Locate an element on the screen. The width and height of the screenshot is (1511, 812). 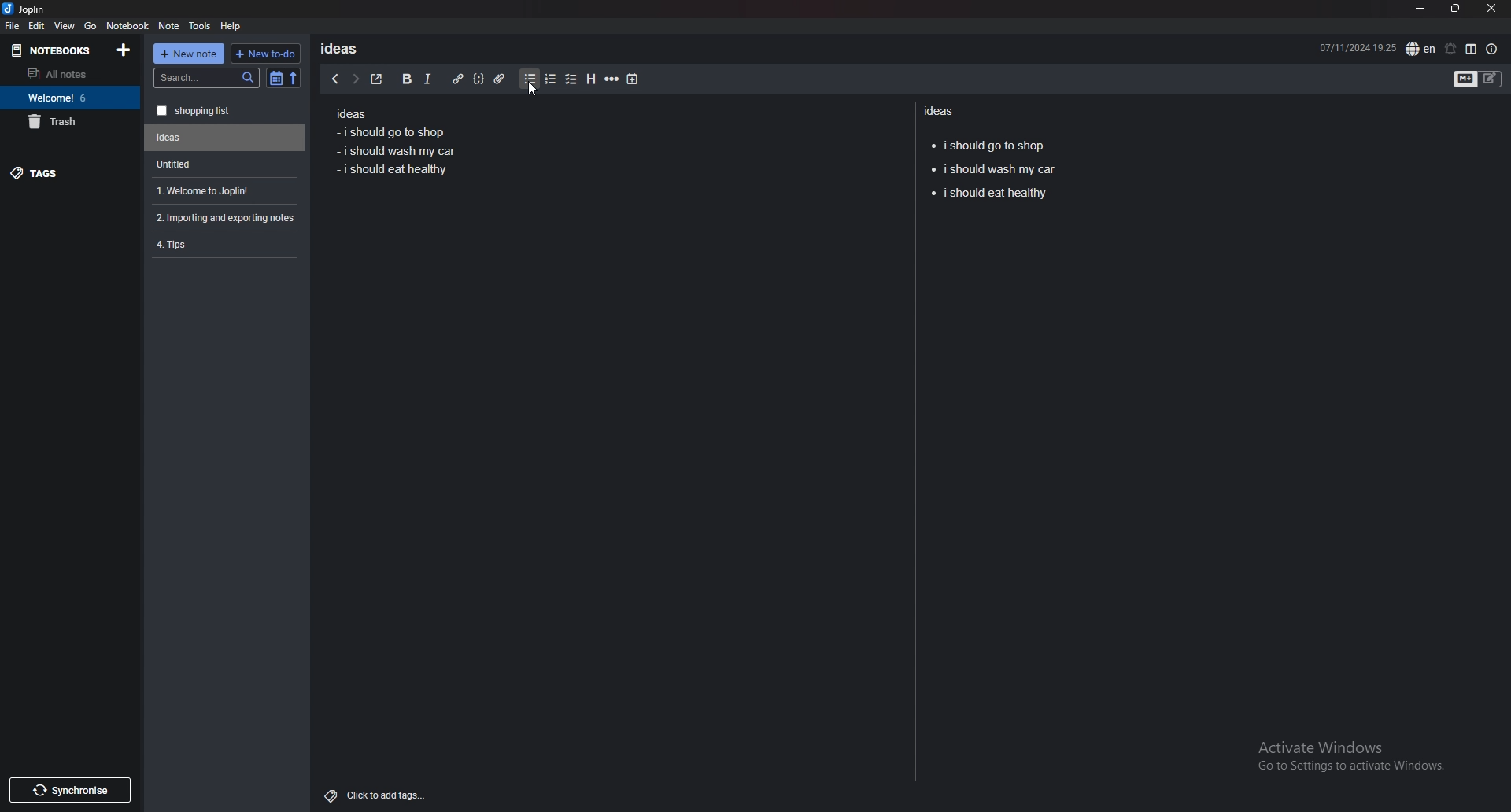
view is located at coordinates (65, 25).